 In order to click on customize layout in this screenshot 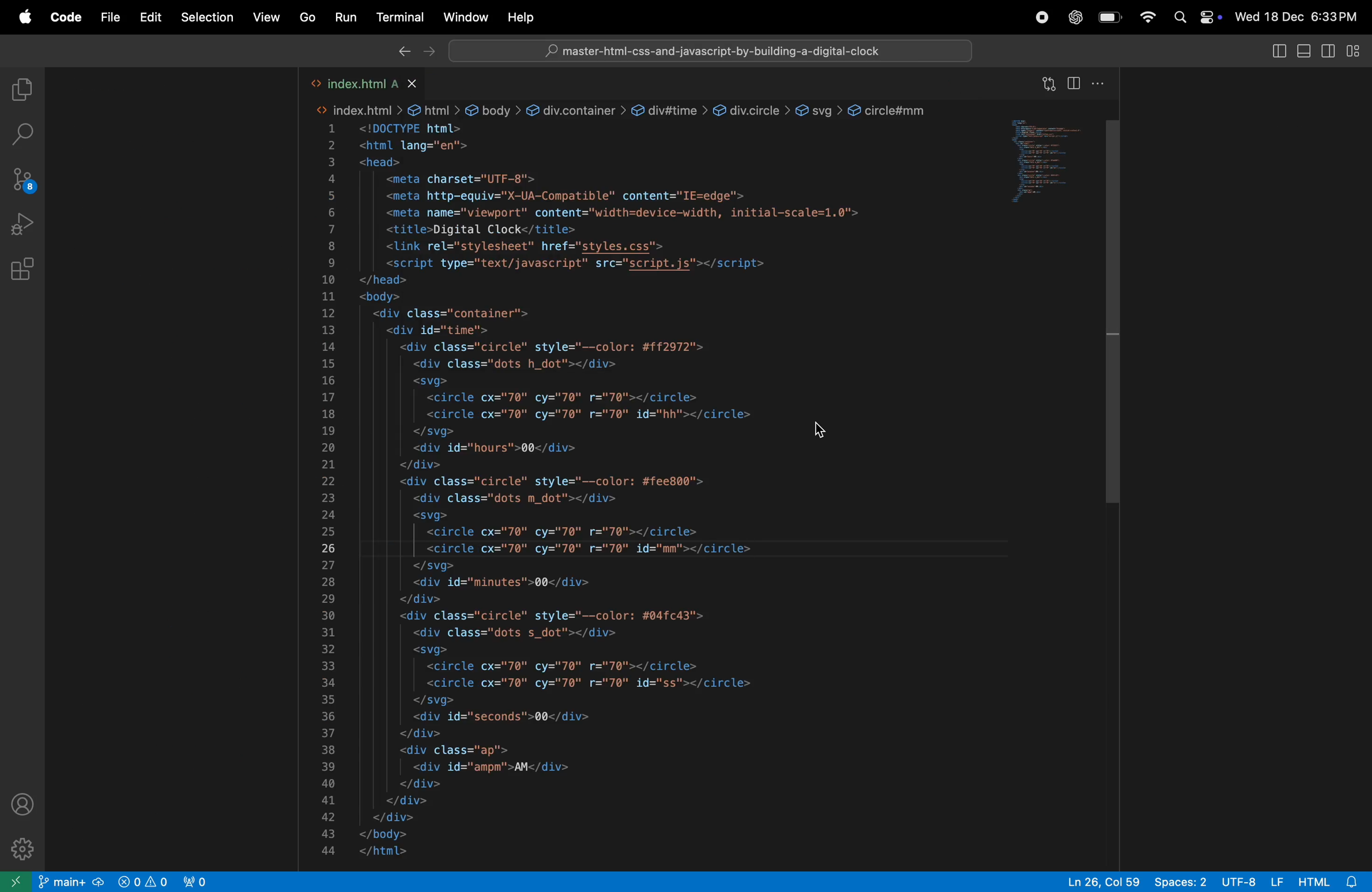, I will do `click(1358, 50)`.